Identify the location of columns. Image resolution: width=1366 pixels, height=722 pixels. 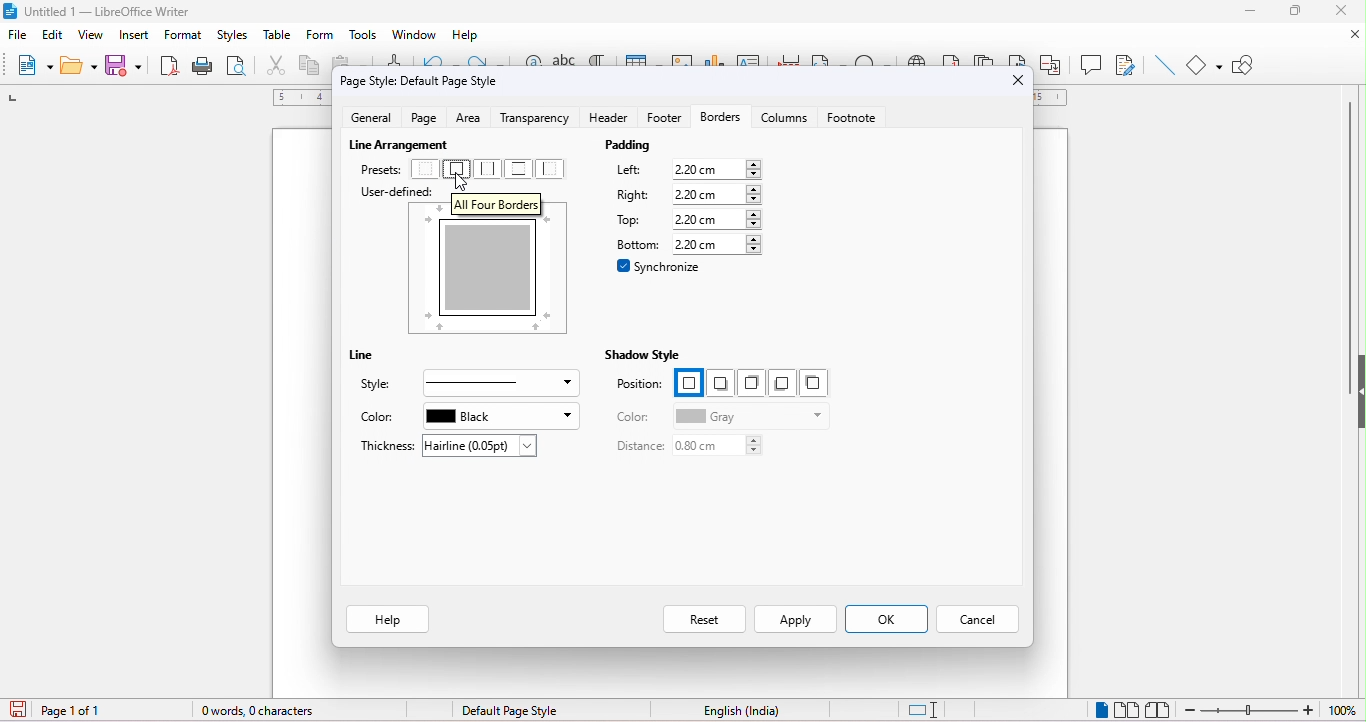
(784, 123).